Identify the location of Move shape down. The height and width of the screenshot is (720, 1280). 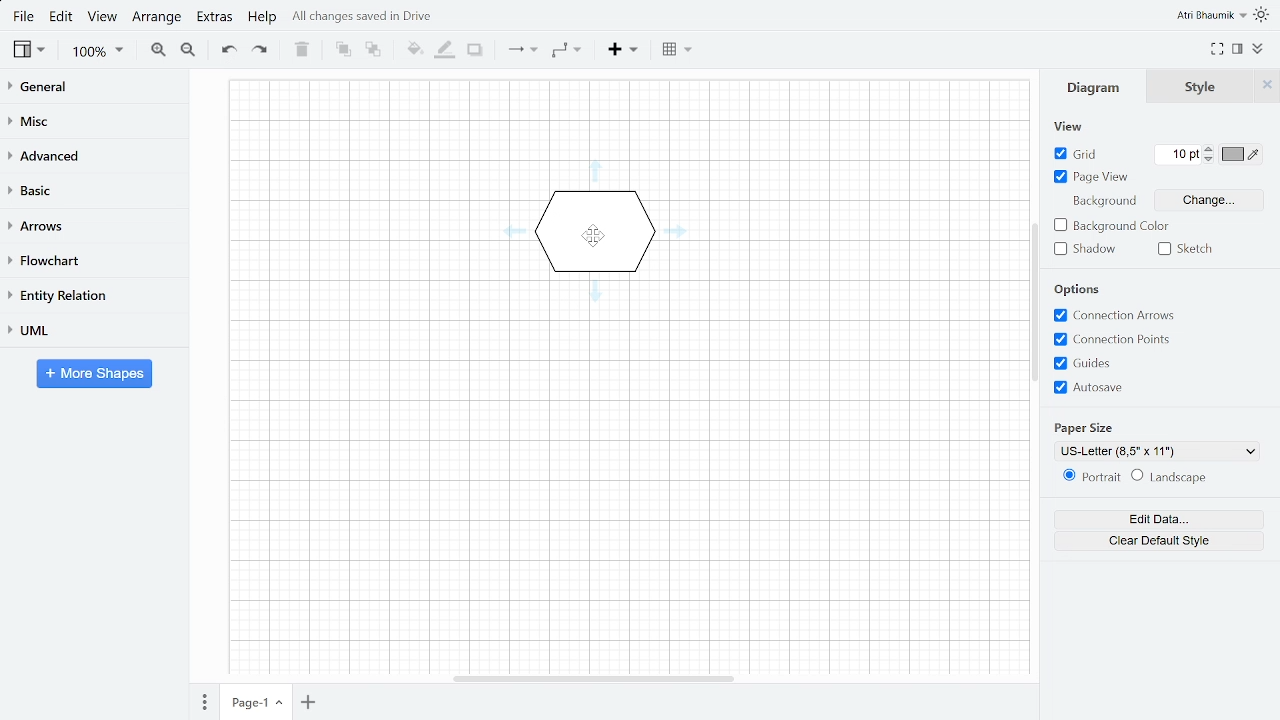
(595, 292).